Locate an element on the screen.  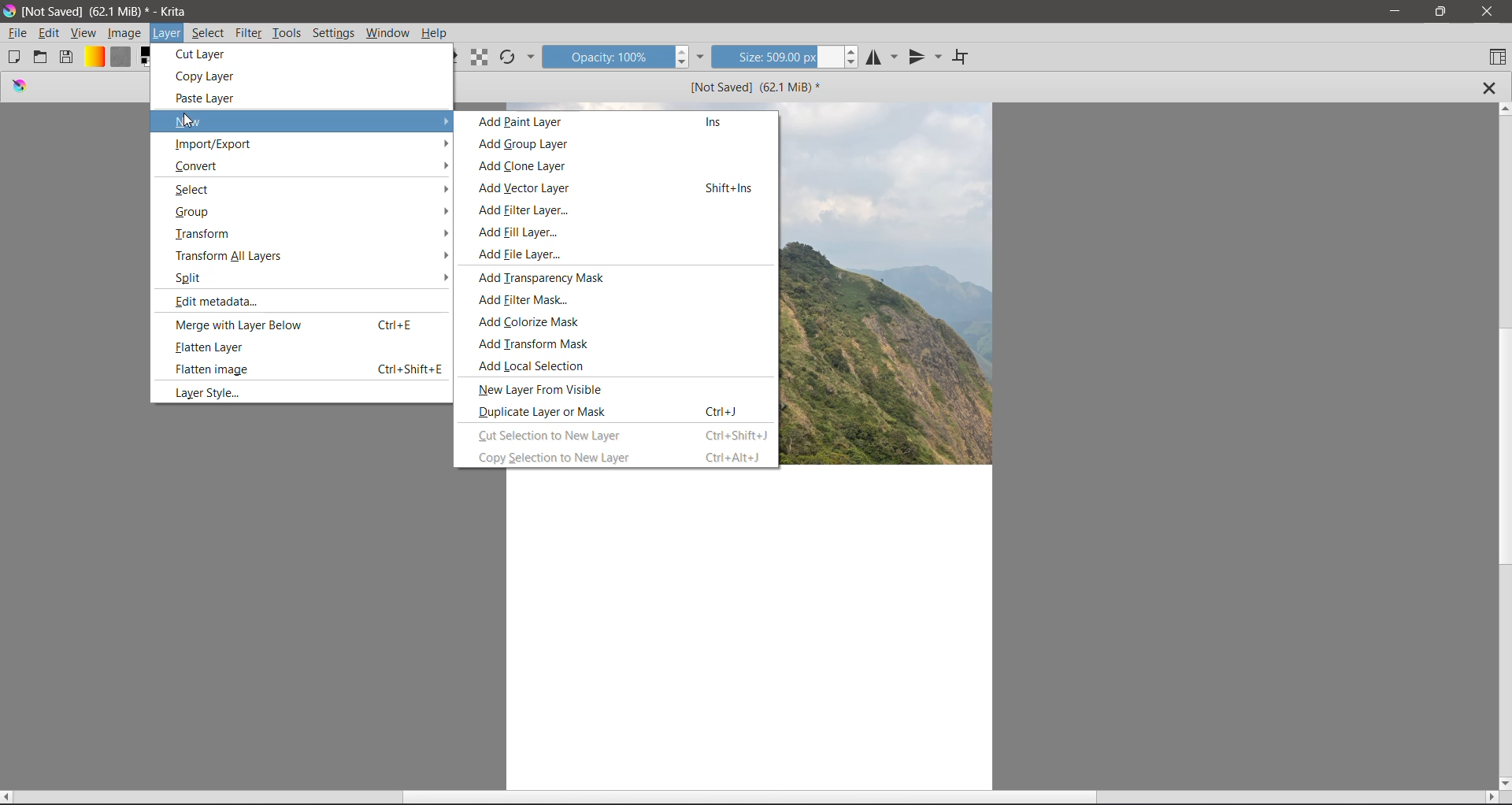
Vertical Scroll Tab is located at coordinates (1503, 445).